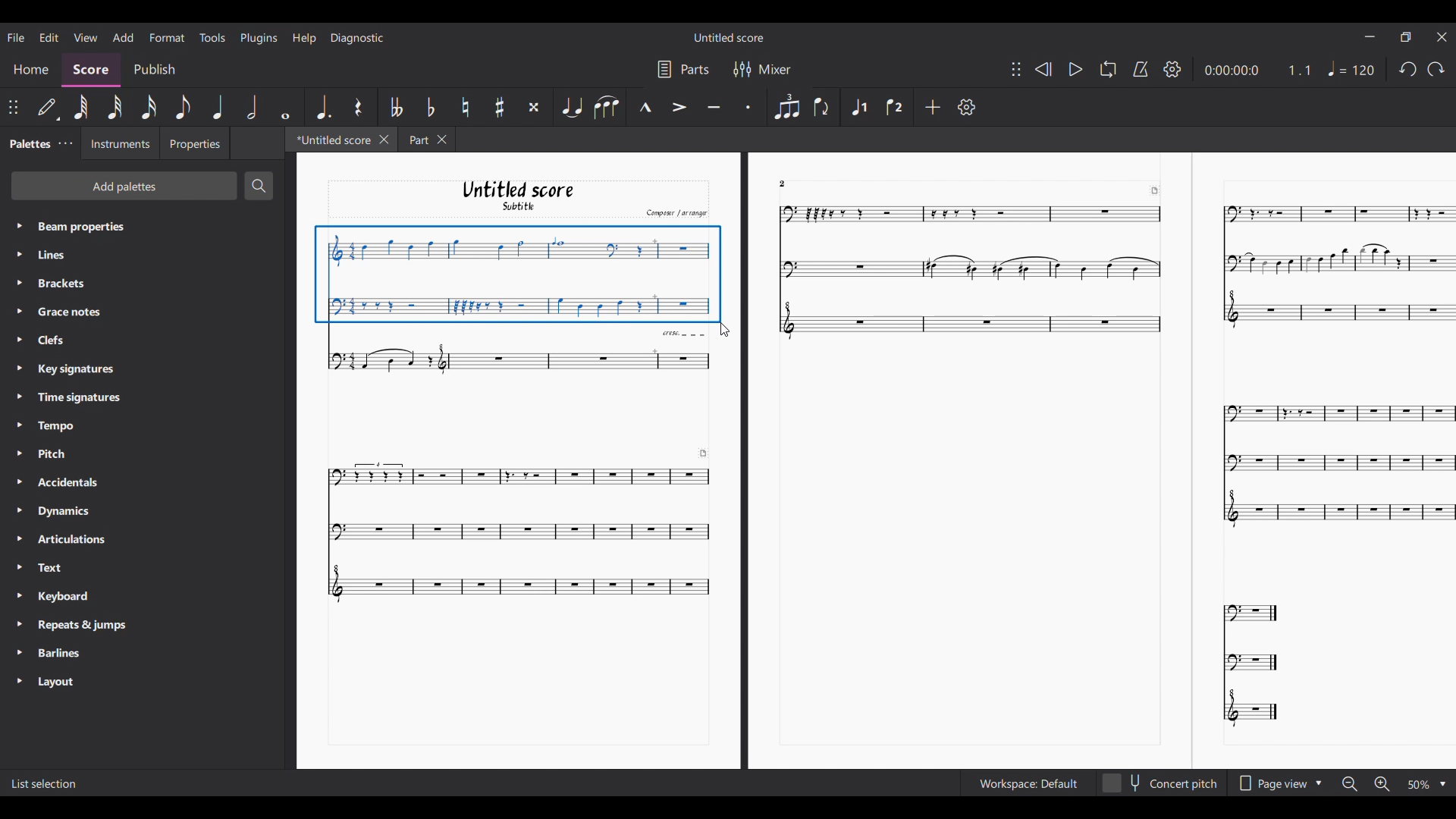  Describe the element at coordinates (1028, 783) in the screenshot. I see `Workspace setting` at that location.